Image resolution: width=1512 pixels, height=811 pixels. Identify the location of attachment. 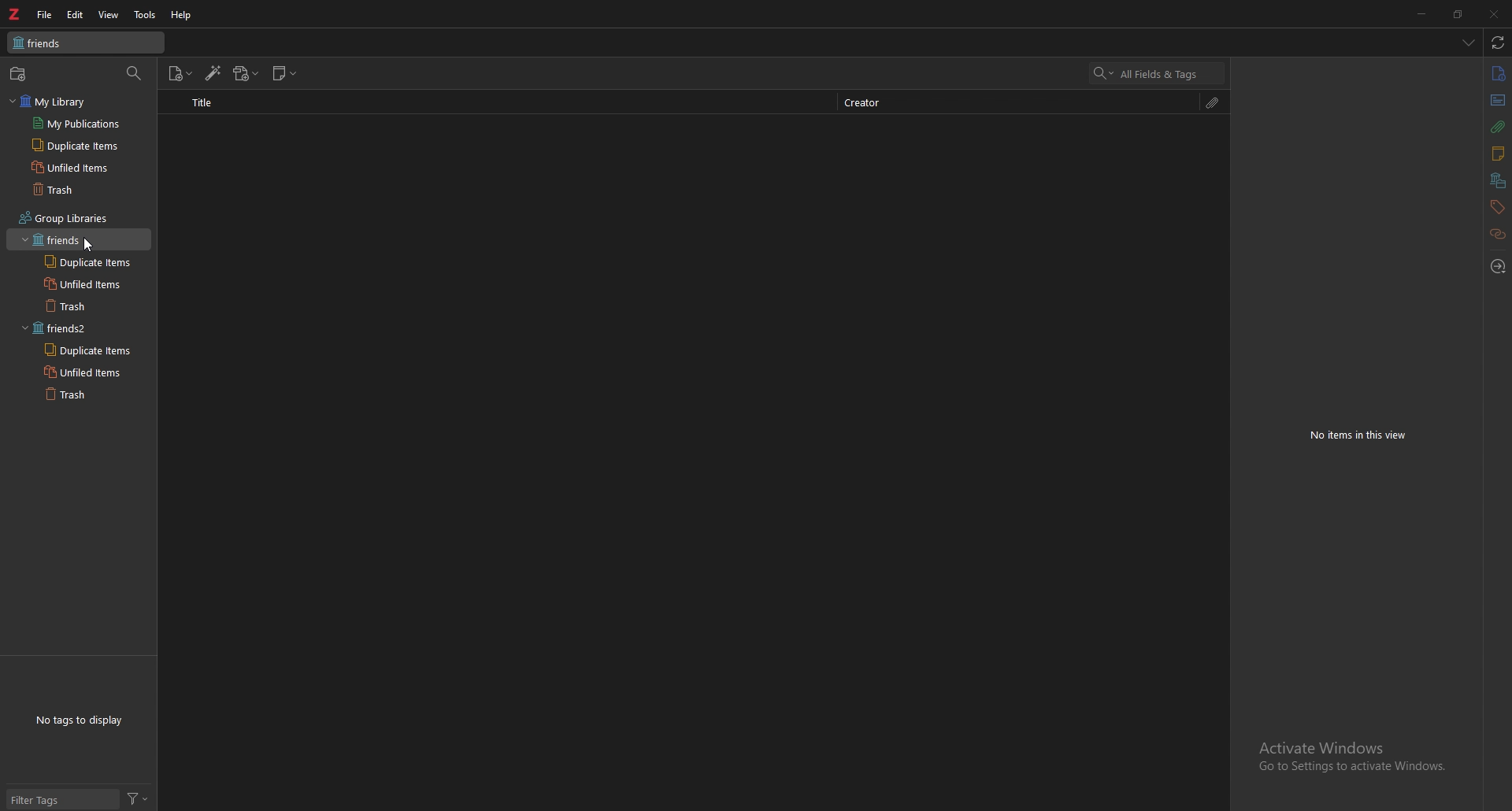
(1215, 102).